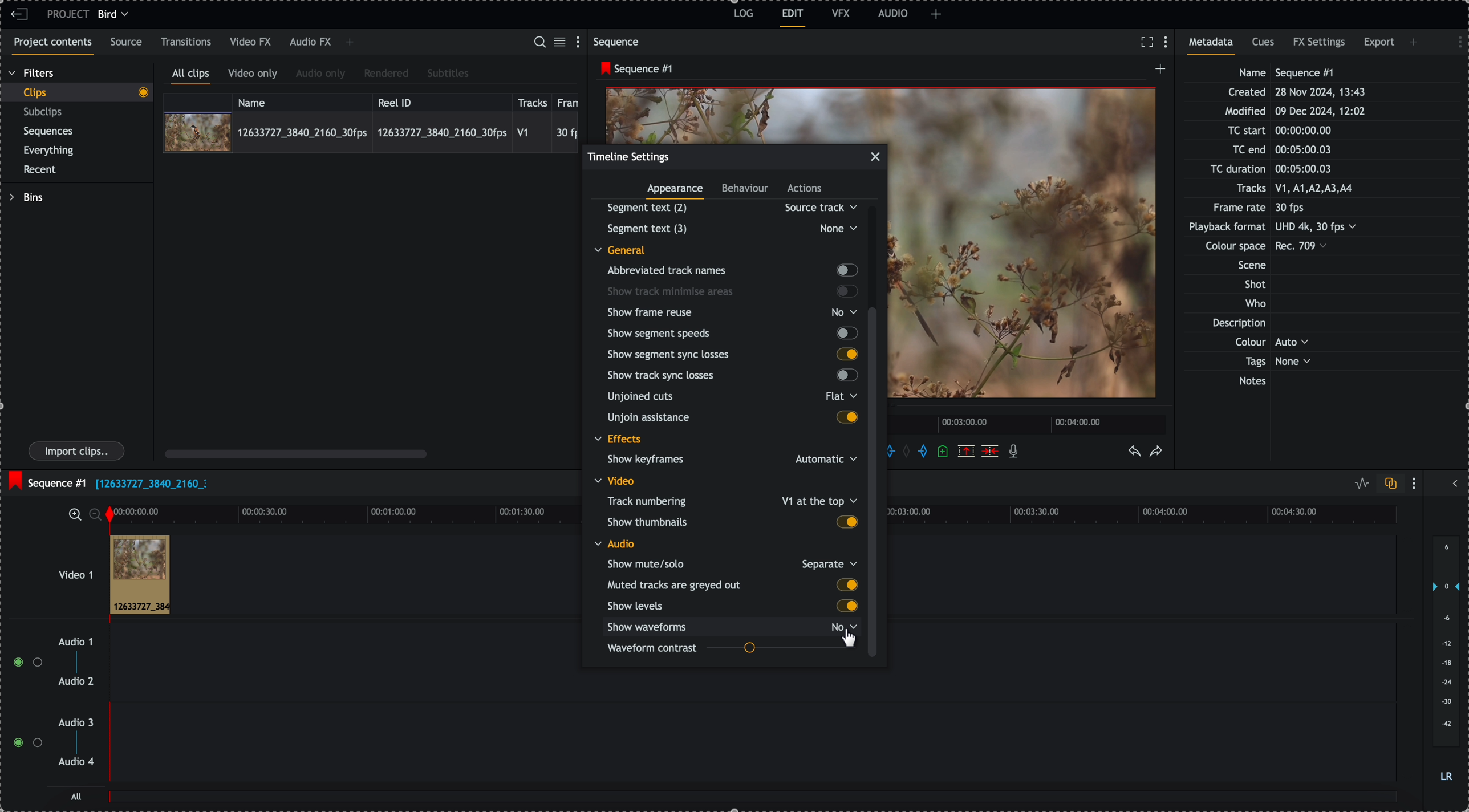 Image resolution: width=1469 pixels, height=812 pixels. What do you see at coordinates (1359, 484) in the screenshot?
I see `toggle audio levels editing` at bounding box center [1359, 484].